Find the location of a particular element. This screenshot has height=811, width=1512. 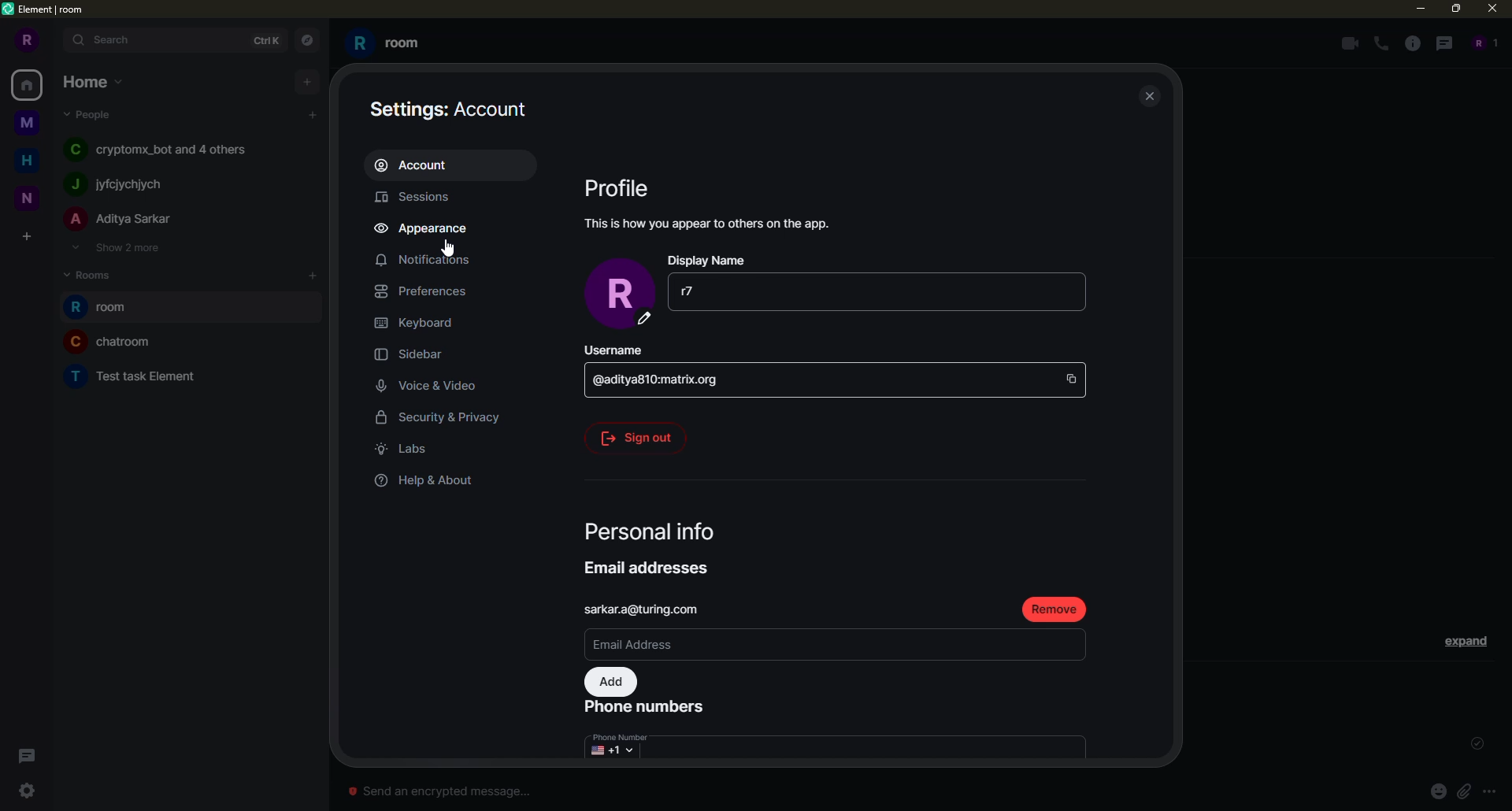

attach is located at coordinates (1463, 791).